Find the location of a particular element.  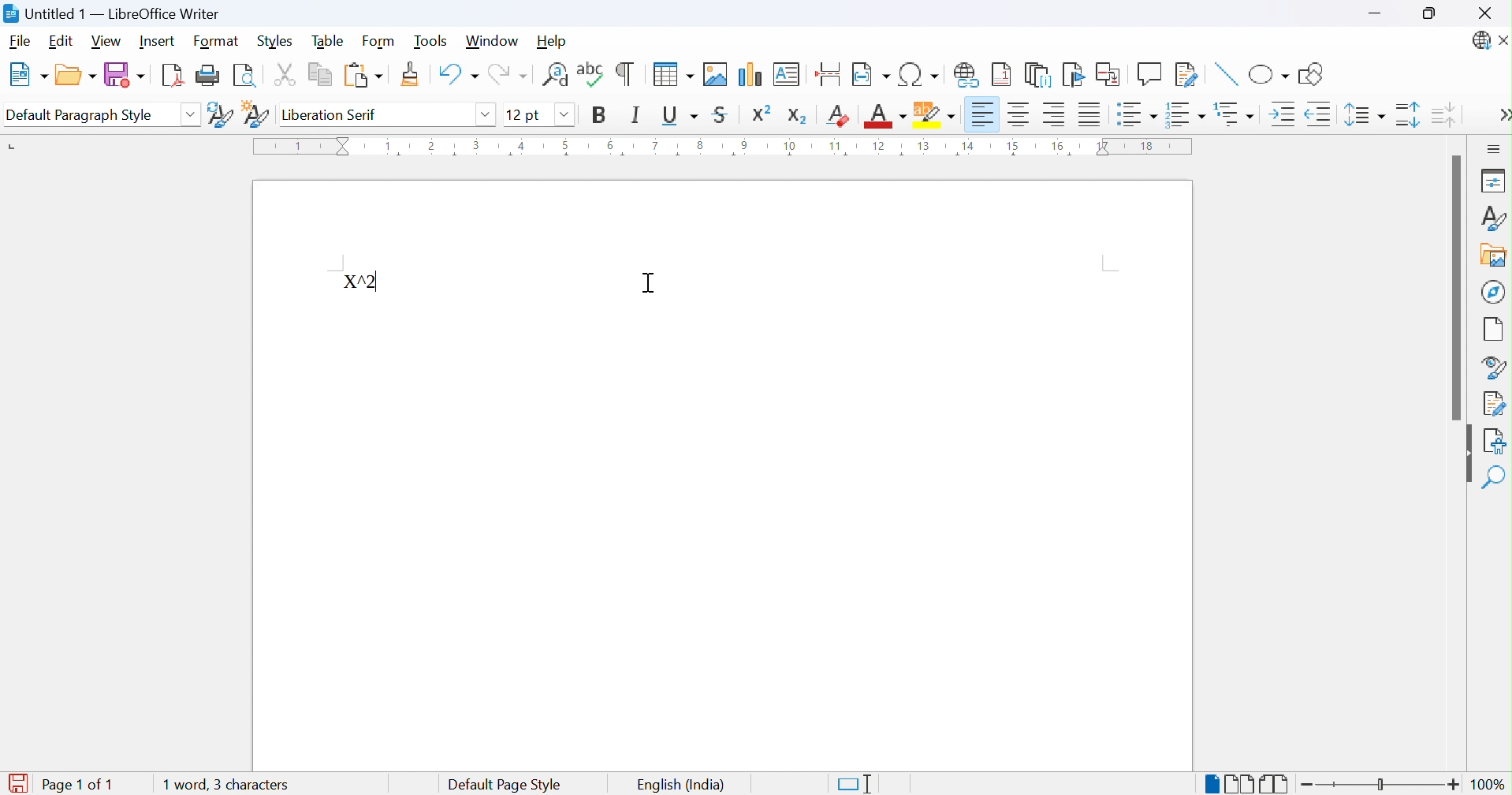

Bold is located at coordinates (602, 115).